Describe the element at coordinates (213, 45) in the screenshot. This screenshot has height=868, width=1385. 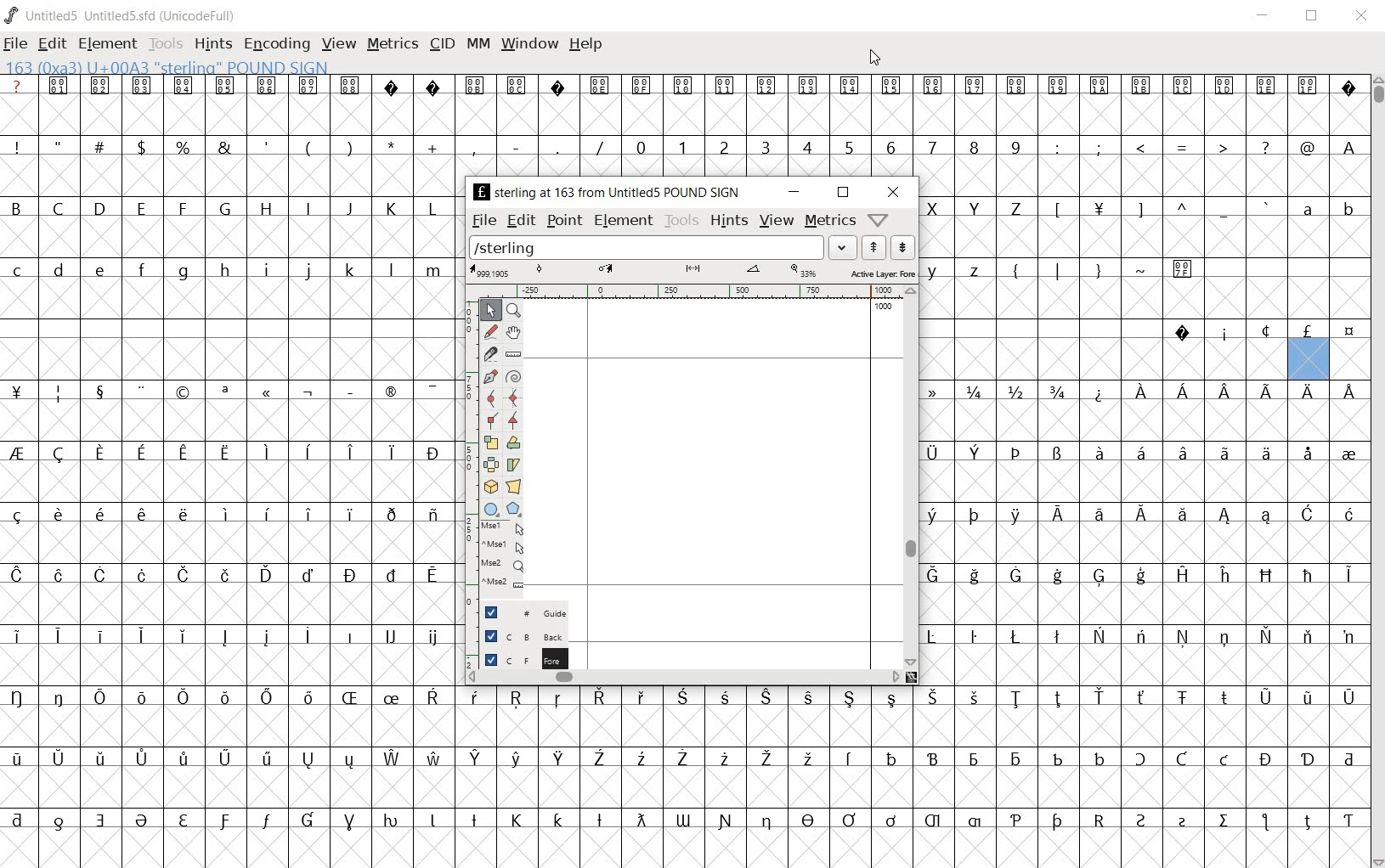
I see `HINTS` at that location.